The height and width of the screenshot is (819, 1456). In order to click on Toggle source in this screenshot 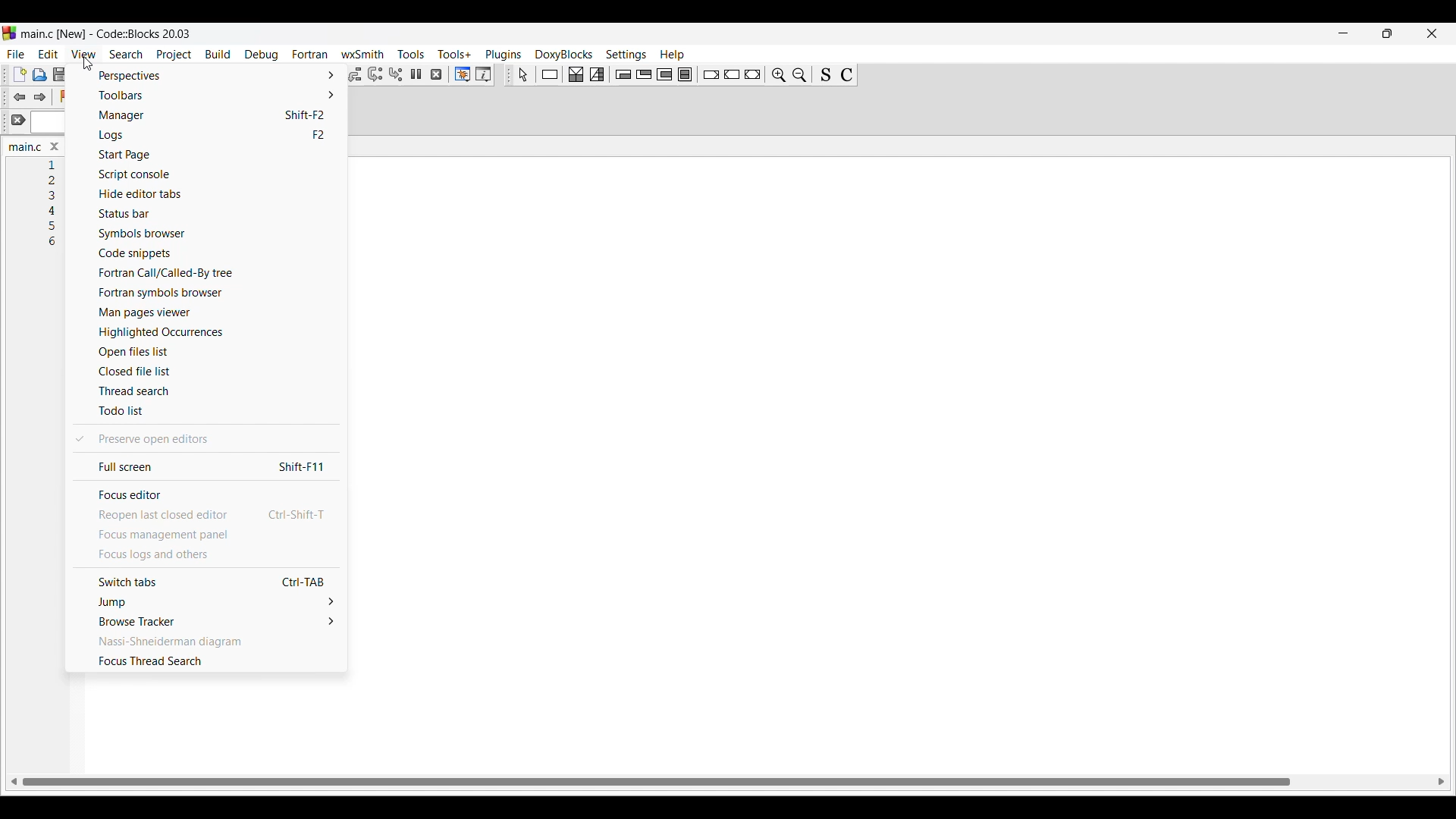, I will do `click(826, 74)`.